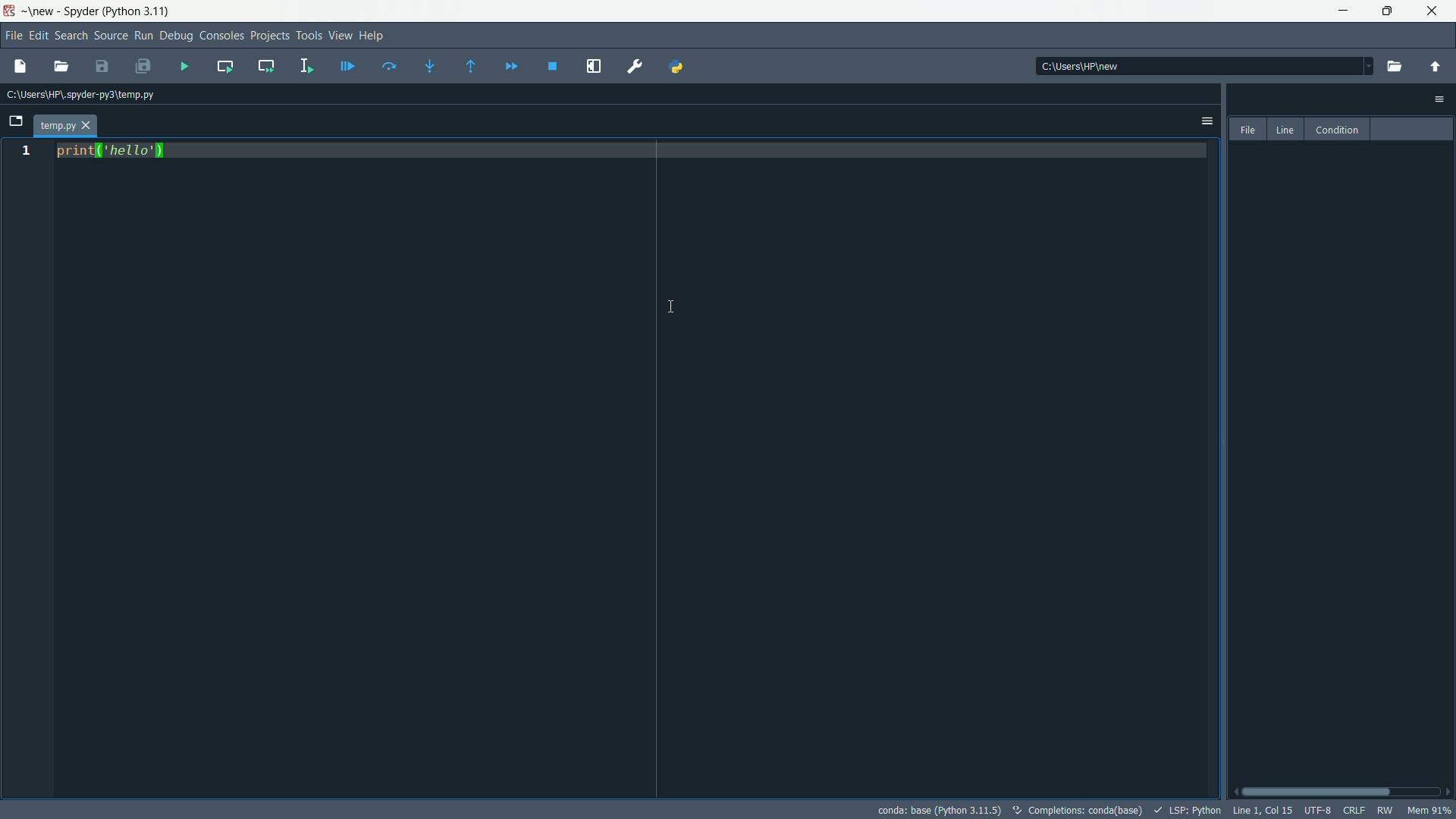  Describe the element at coordinates (511, 67) in the screenshot. I see `continue execution until next breakpoint` at that location.